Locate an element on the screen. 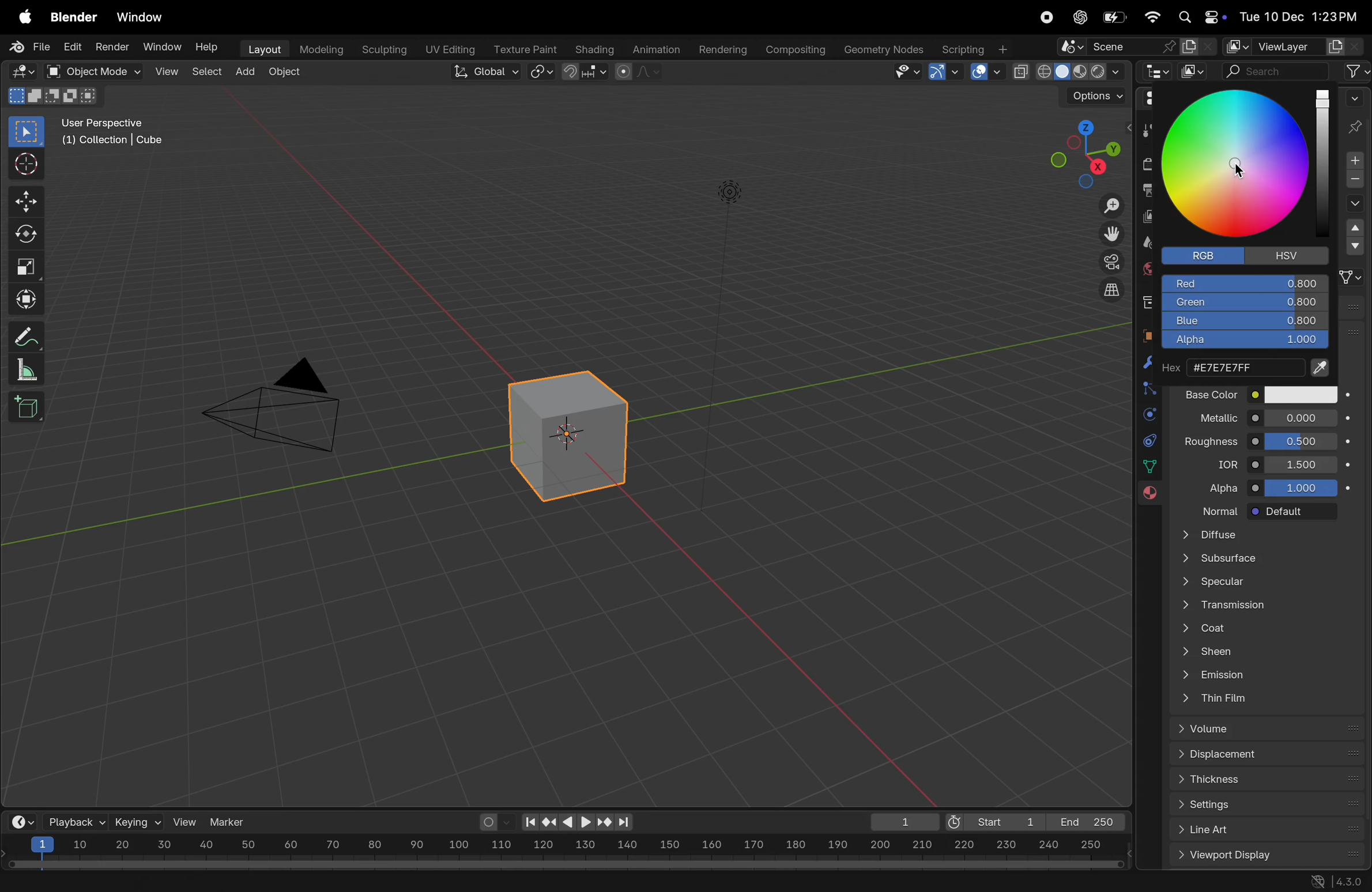 This screenshot has width=1372, height=892. material is located at coordinates (1146, 495).